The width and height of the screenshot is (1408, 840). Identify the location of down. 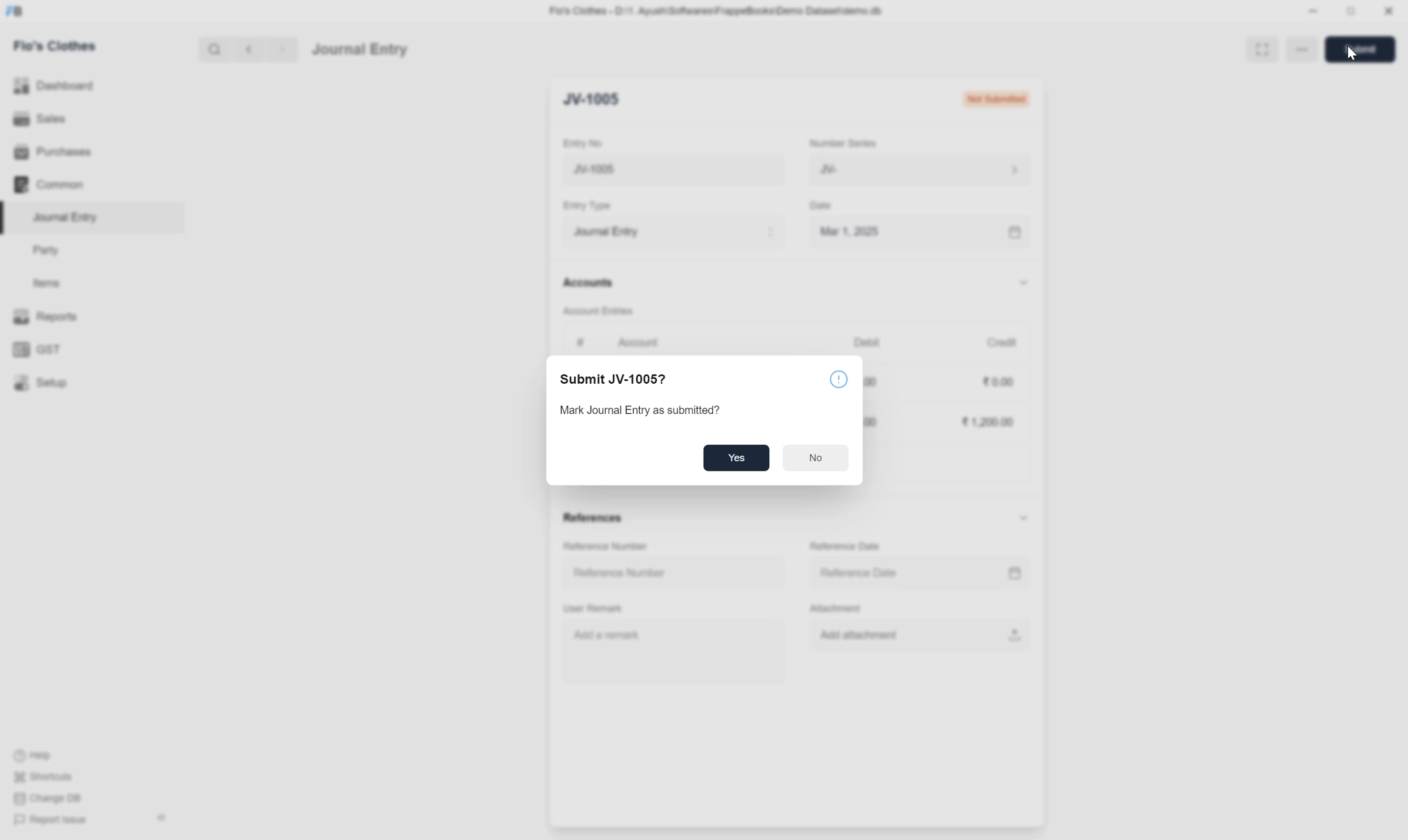
(1023, 518).